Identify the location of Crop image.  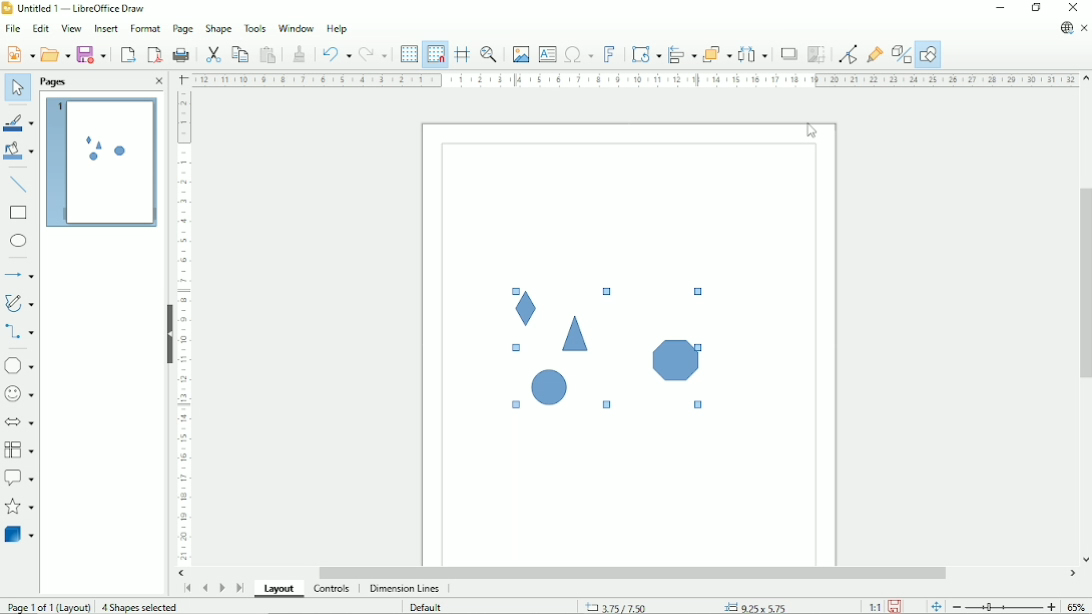
(815, 55).